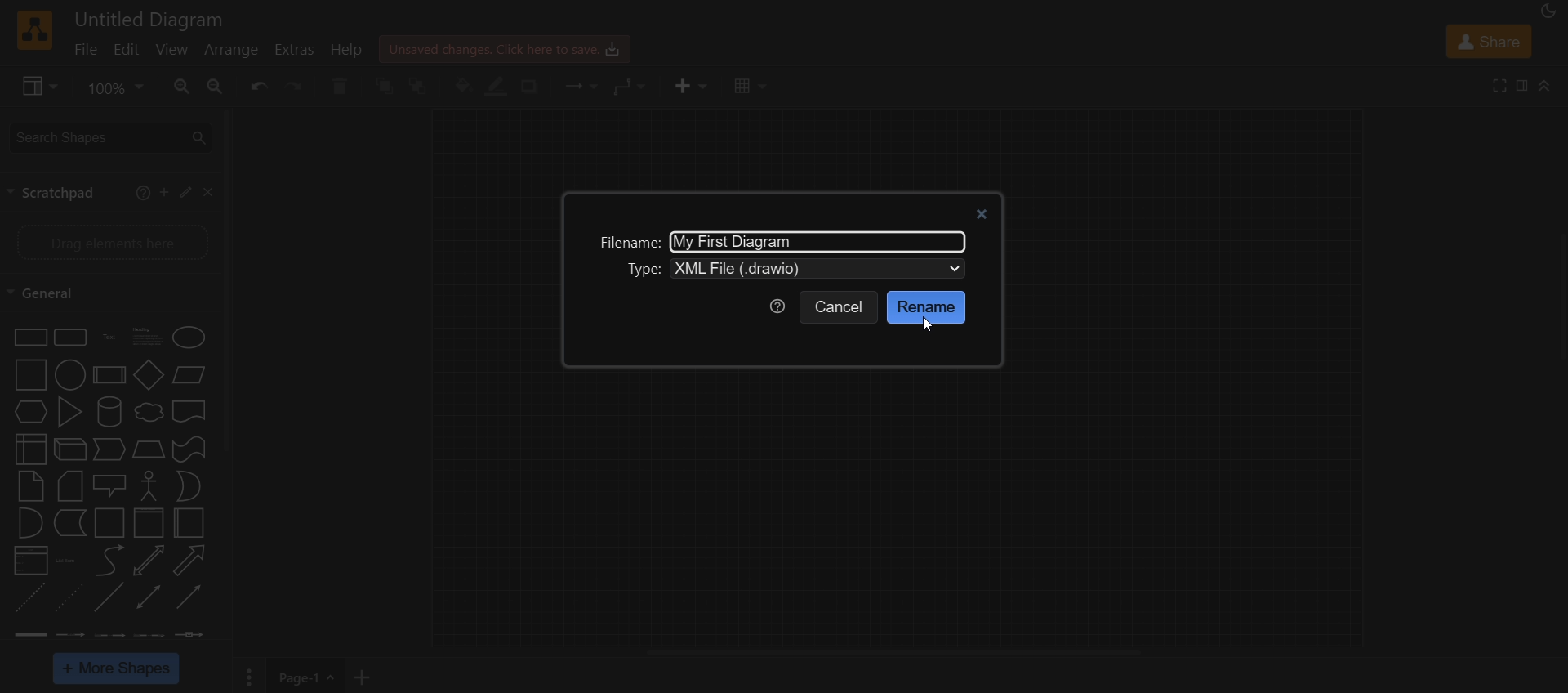  Describe the element at coordinates (296, 87) in the screenshot. I see `redo` at that location.